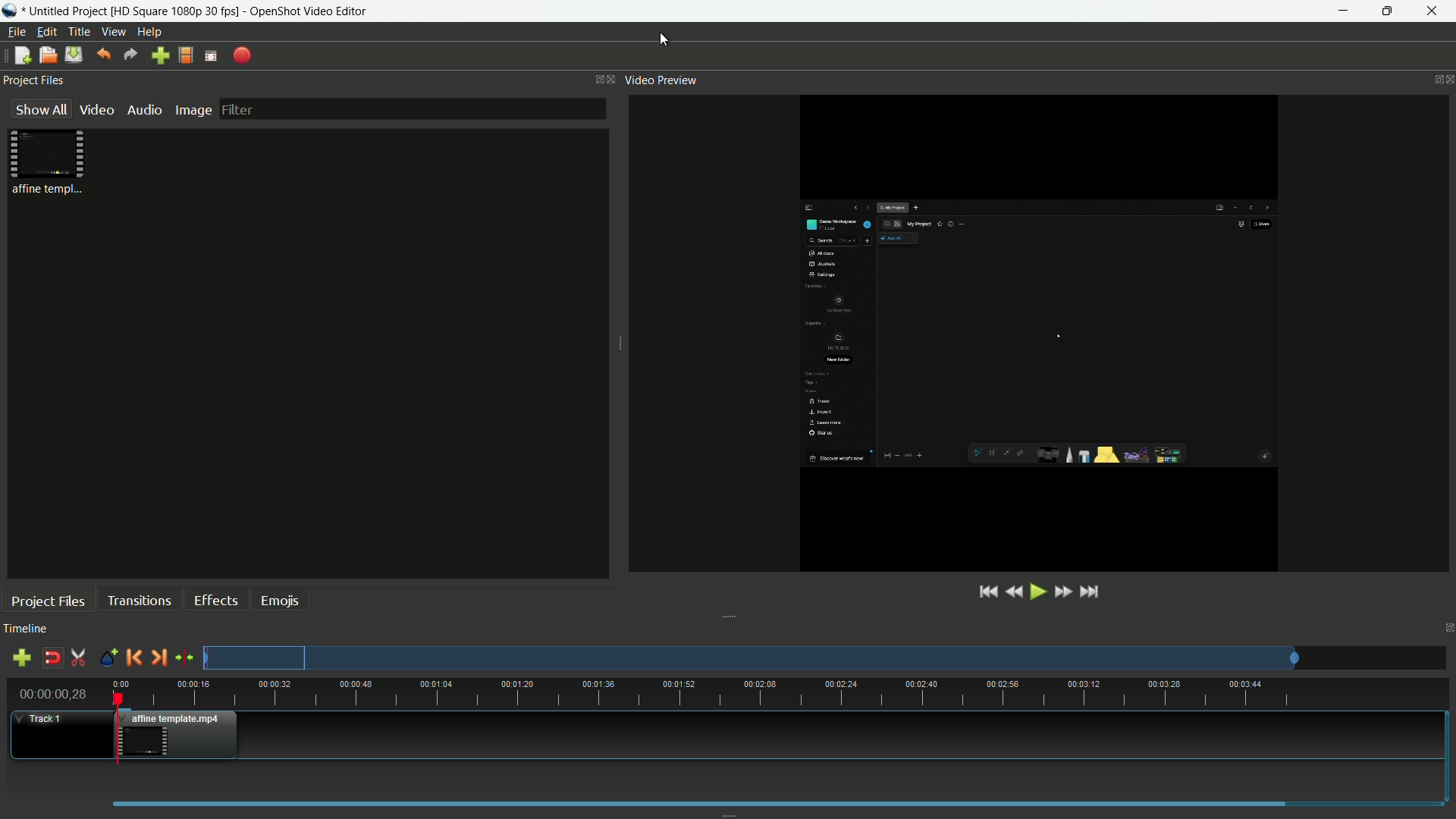 The image size is (1456, 819). I want to click on time, so click(784, 693).